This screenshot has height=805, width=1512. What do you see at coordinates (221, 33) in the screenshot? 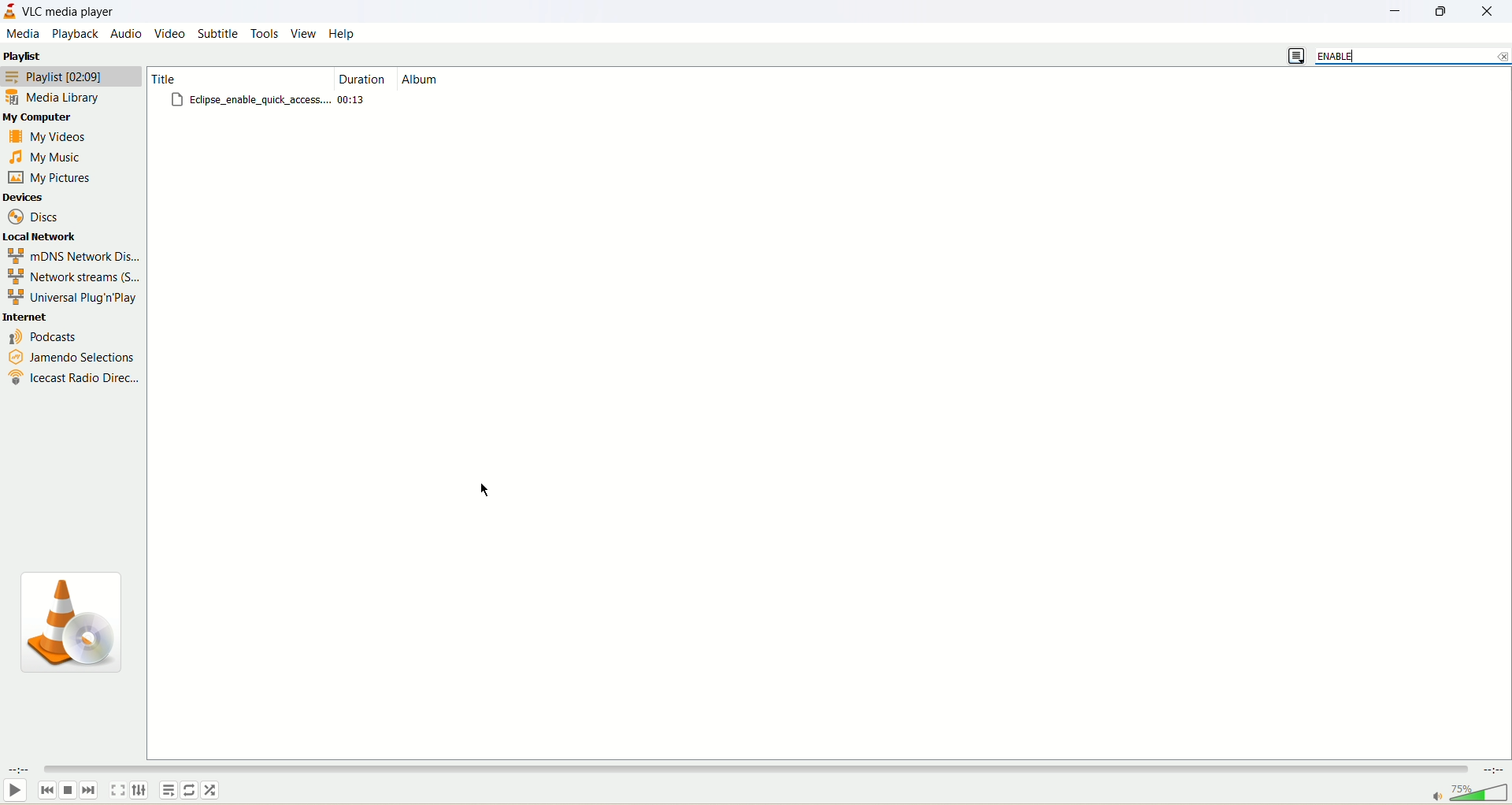
I see `subtitle` at bounding box center [221, 33].